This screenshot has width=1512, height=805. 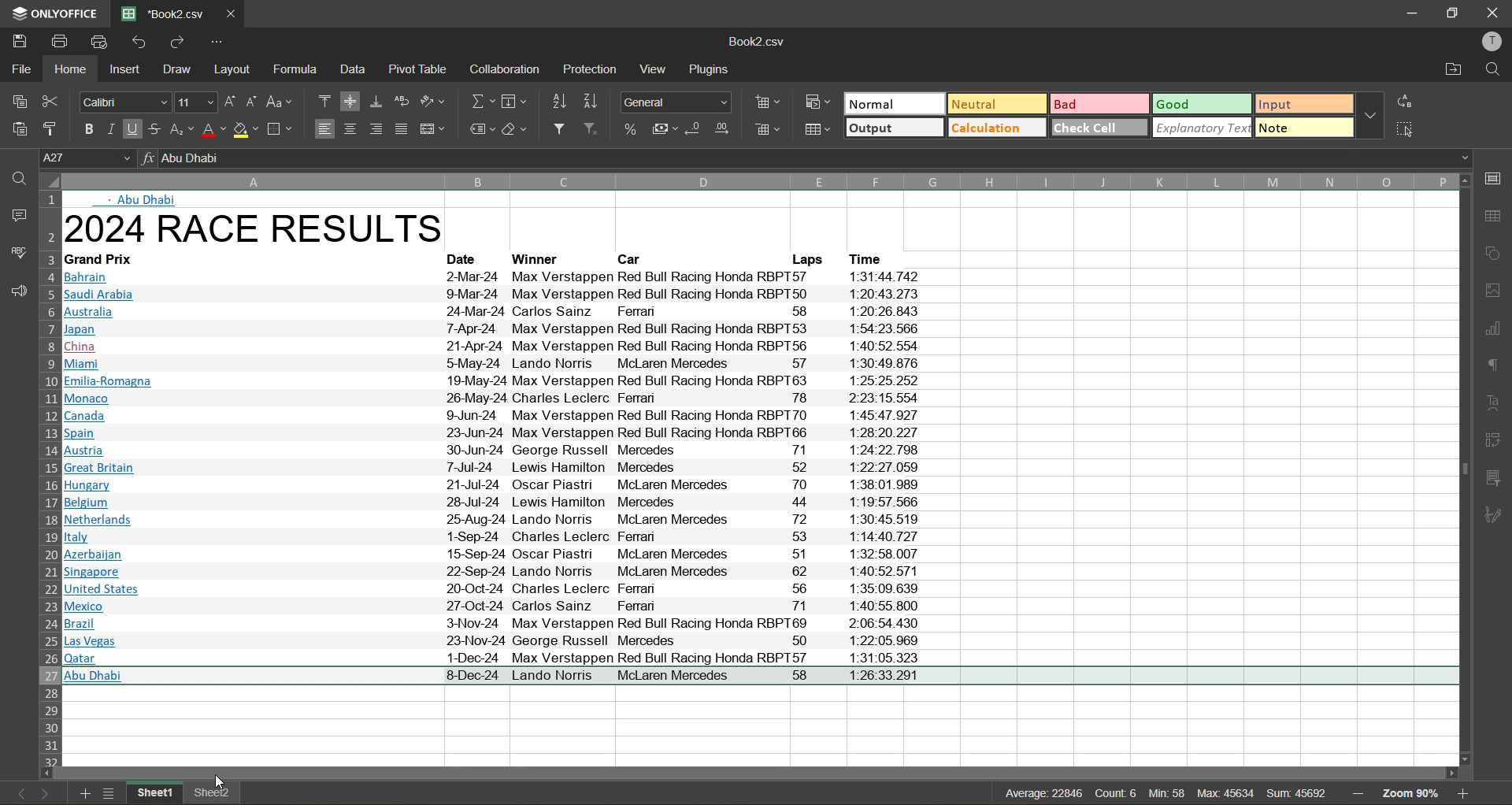 What do you see at coordinates (154, 130) in the screenshot?
I see `strikethrough` at bounding box center [154, 130].